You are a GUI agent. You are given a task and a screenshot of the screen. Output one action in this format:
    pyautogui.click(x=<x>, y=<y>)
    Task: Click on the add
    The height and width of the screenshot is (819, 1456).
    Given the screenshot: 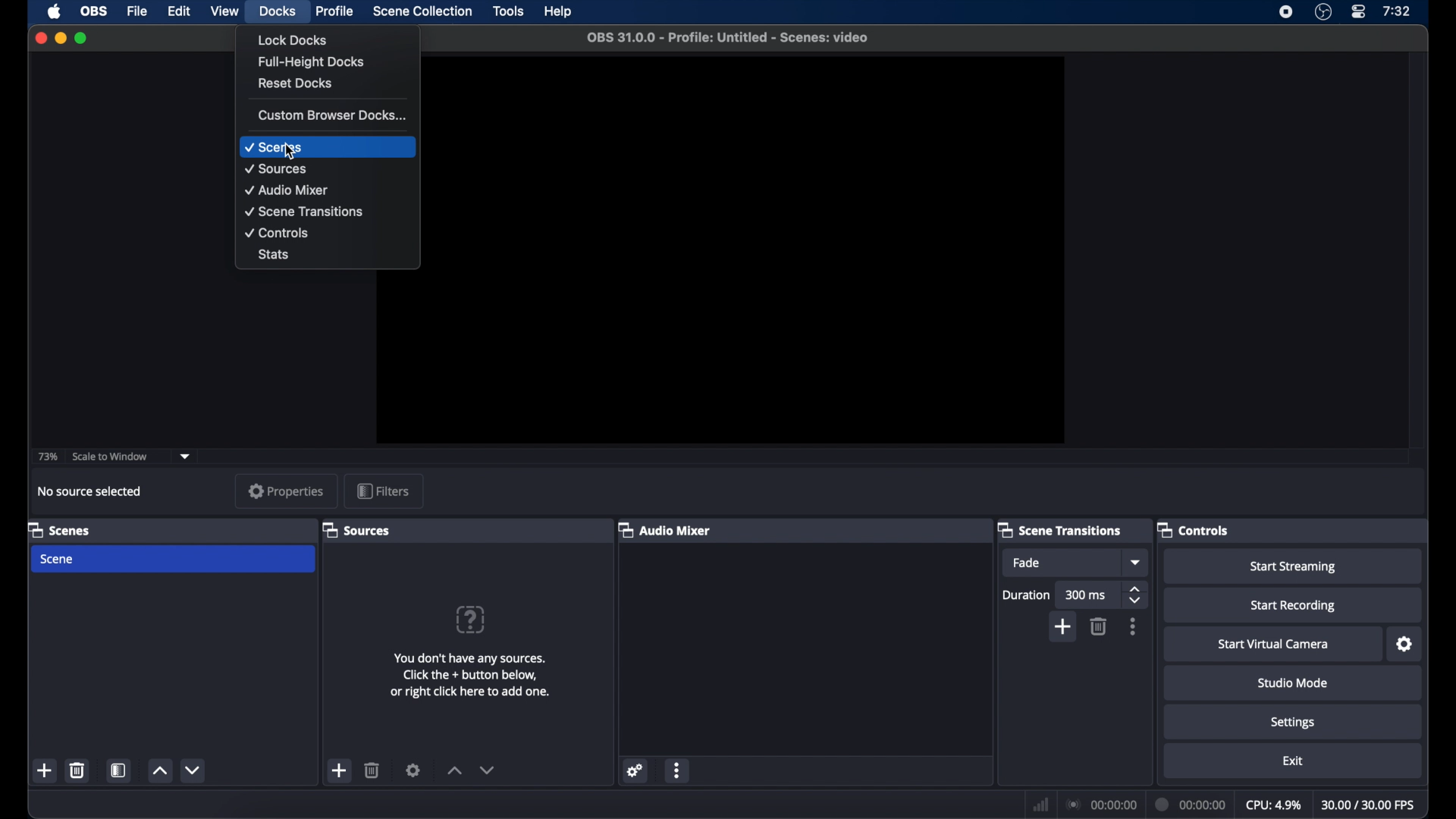 What is the action you would take?
    pyautogui.click(x=340, y=770)
    